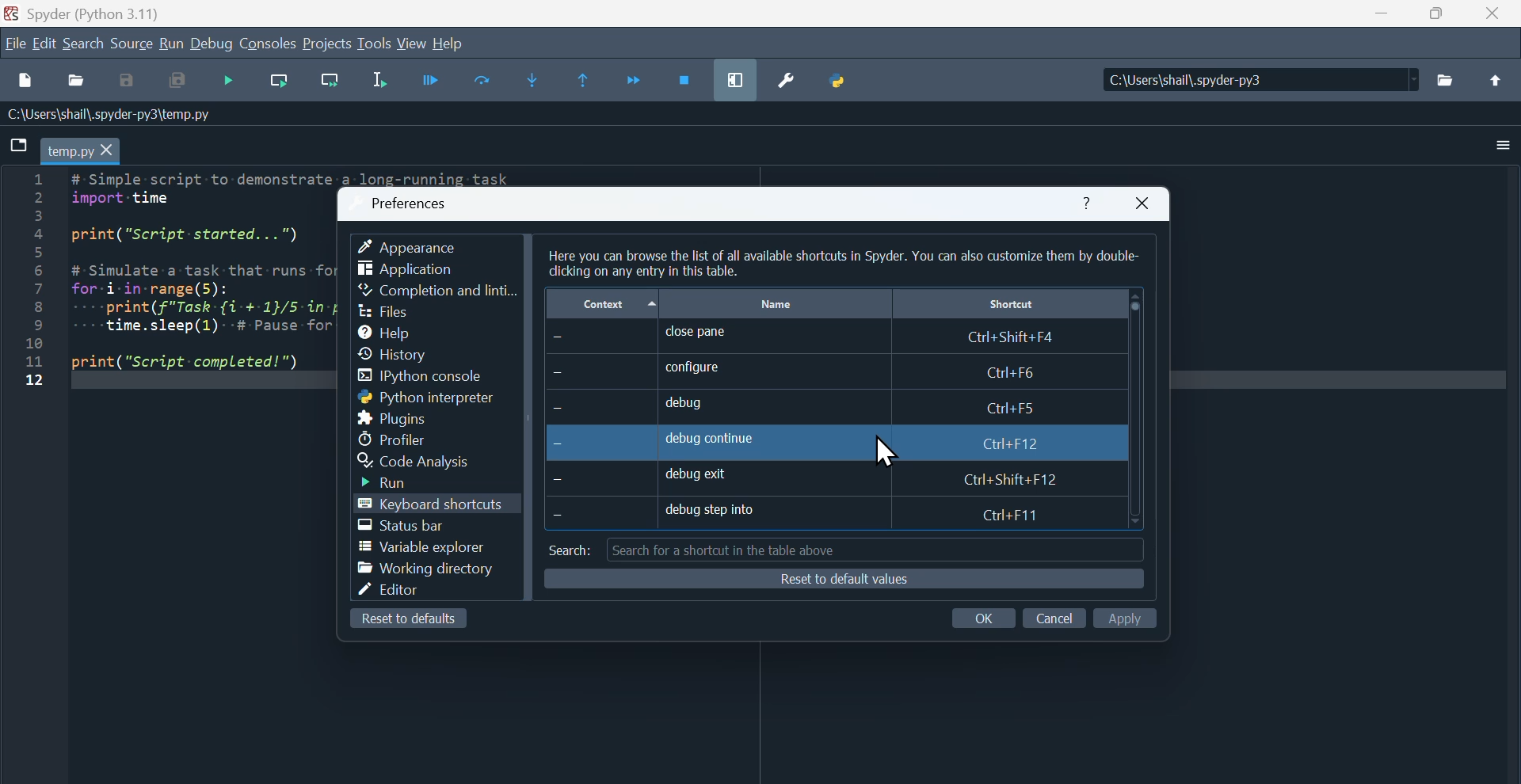 This screenshot has width=1521, height=784. What do you see at coordinates (432, 83) in the screenshot?
I see `Run file` at bounding box center [432, 83].